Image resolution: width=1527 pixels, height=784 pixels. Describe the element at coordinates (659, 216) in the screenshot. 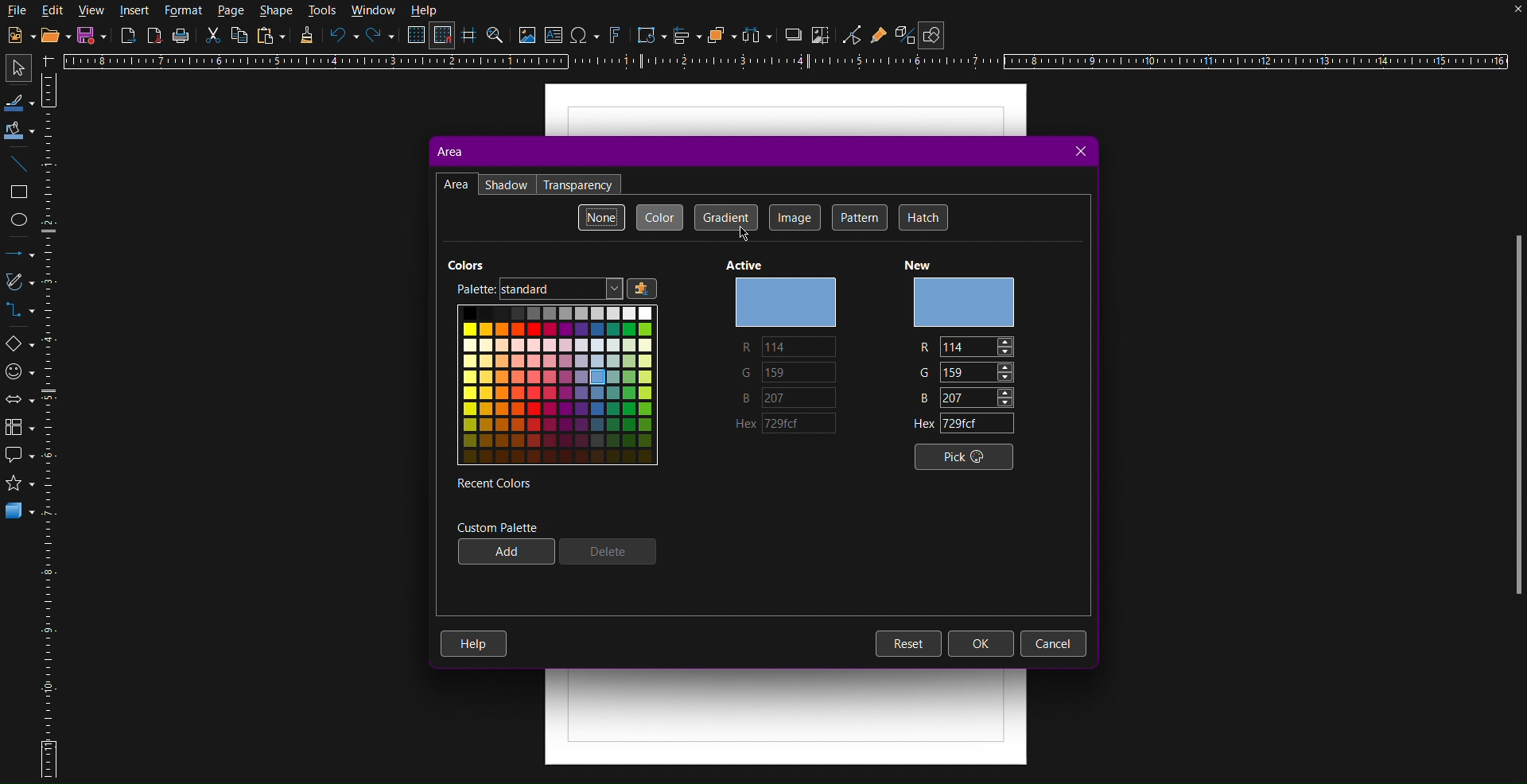

I see `Color` at that location.